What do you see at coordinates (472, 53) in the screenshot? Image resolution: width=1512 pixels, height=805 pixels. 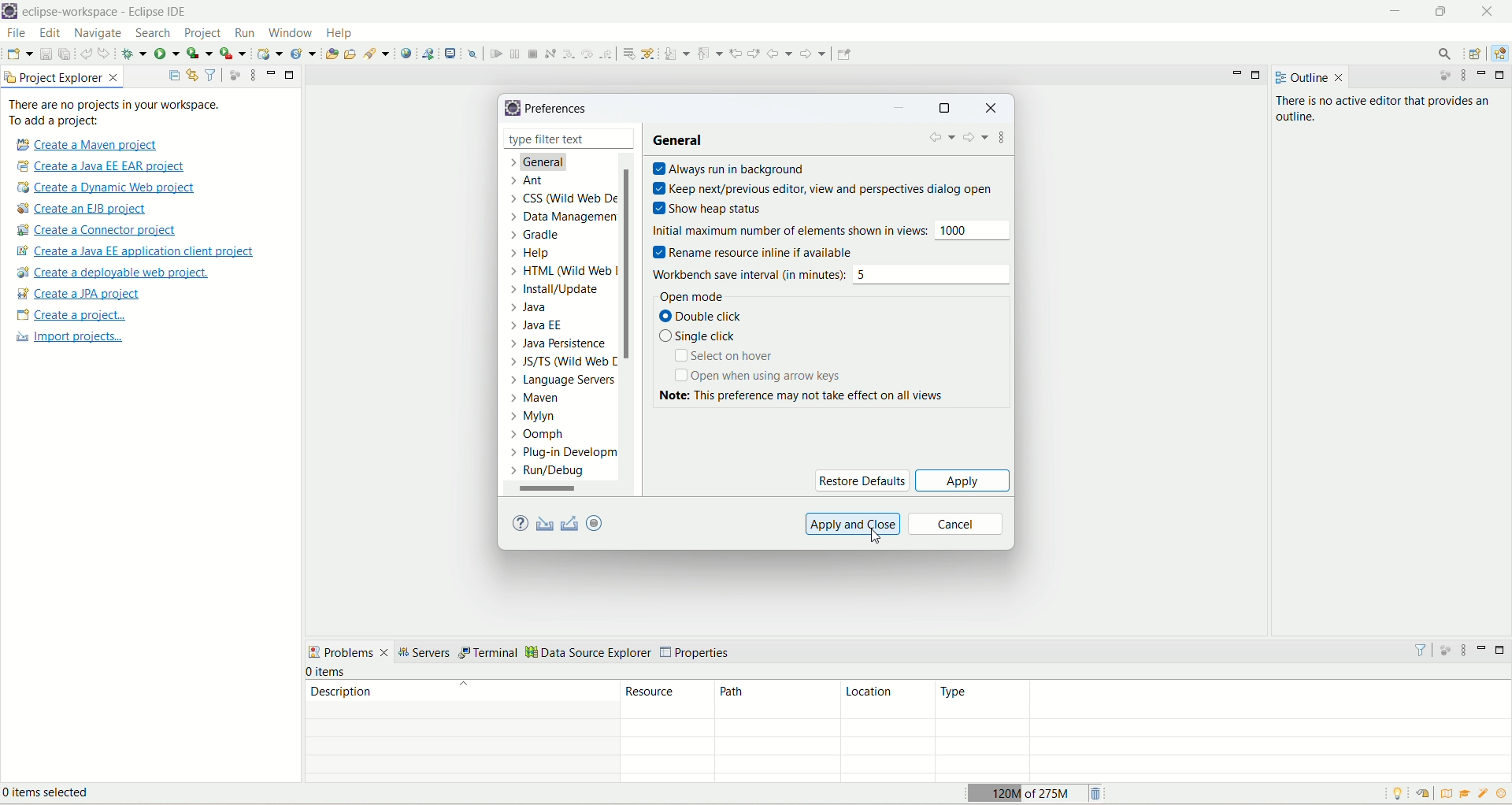 I see `skip all break points` at bounding box center [472, 53].